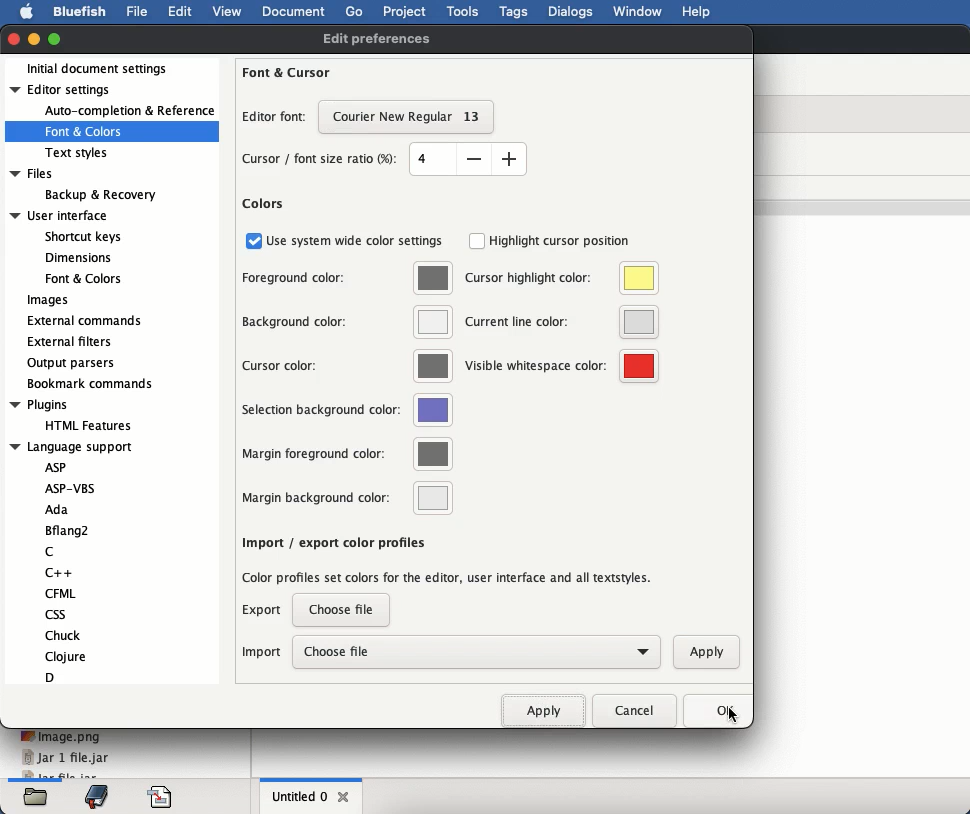 The height and width of the screenshot is (814, 970). I want to click on initial document settings, so click(104, 68).